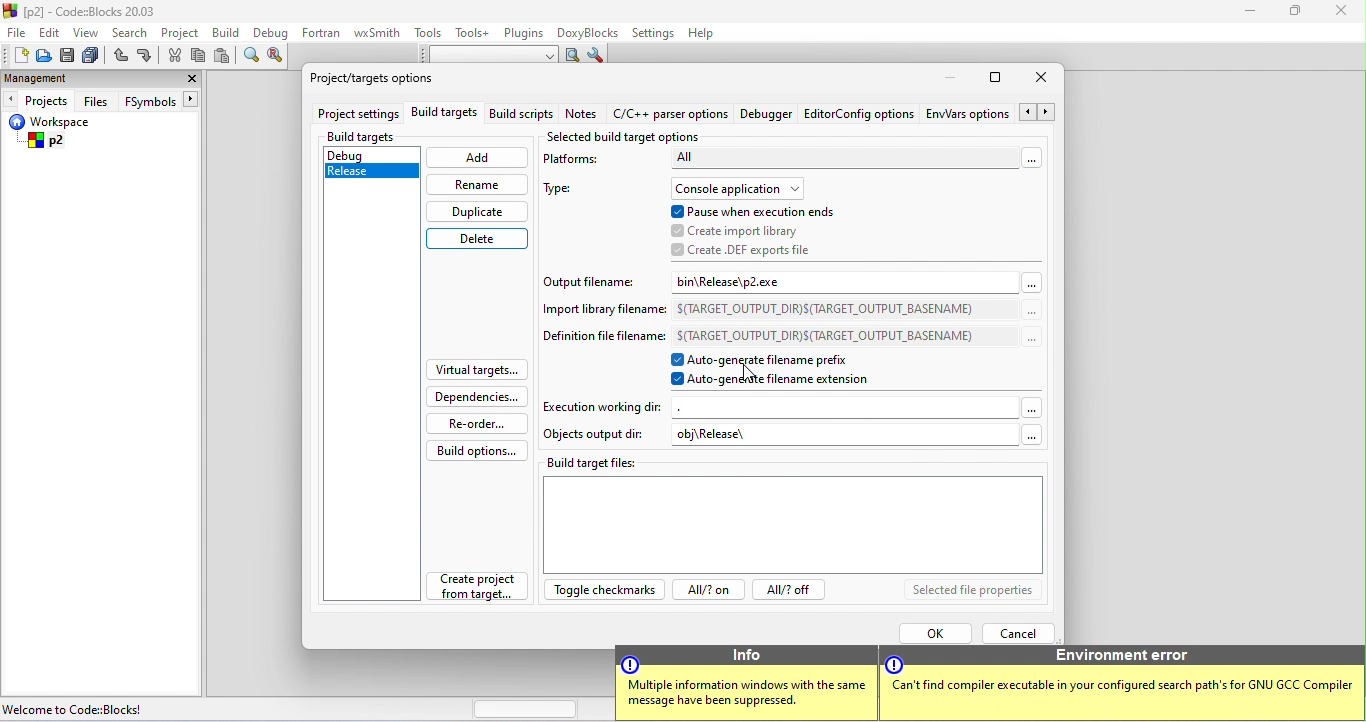 Image resolution: width=1366 pixels, height=722 pixels. I want to click on minimize, so click(955, 78).